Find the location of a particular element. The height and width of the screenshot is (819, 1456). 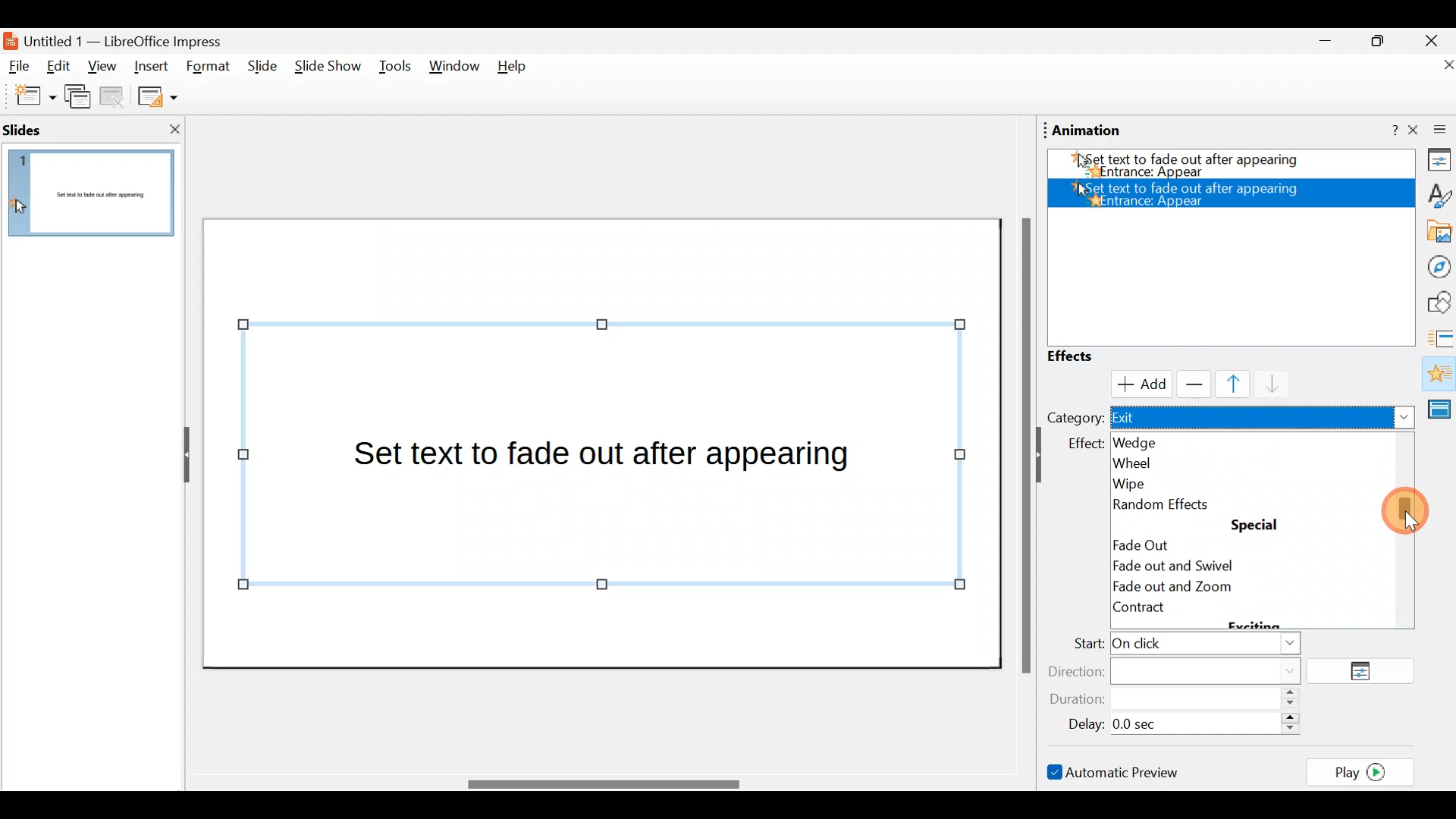

Shapes is located at coordinates (1437, 303).